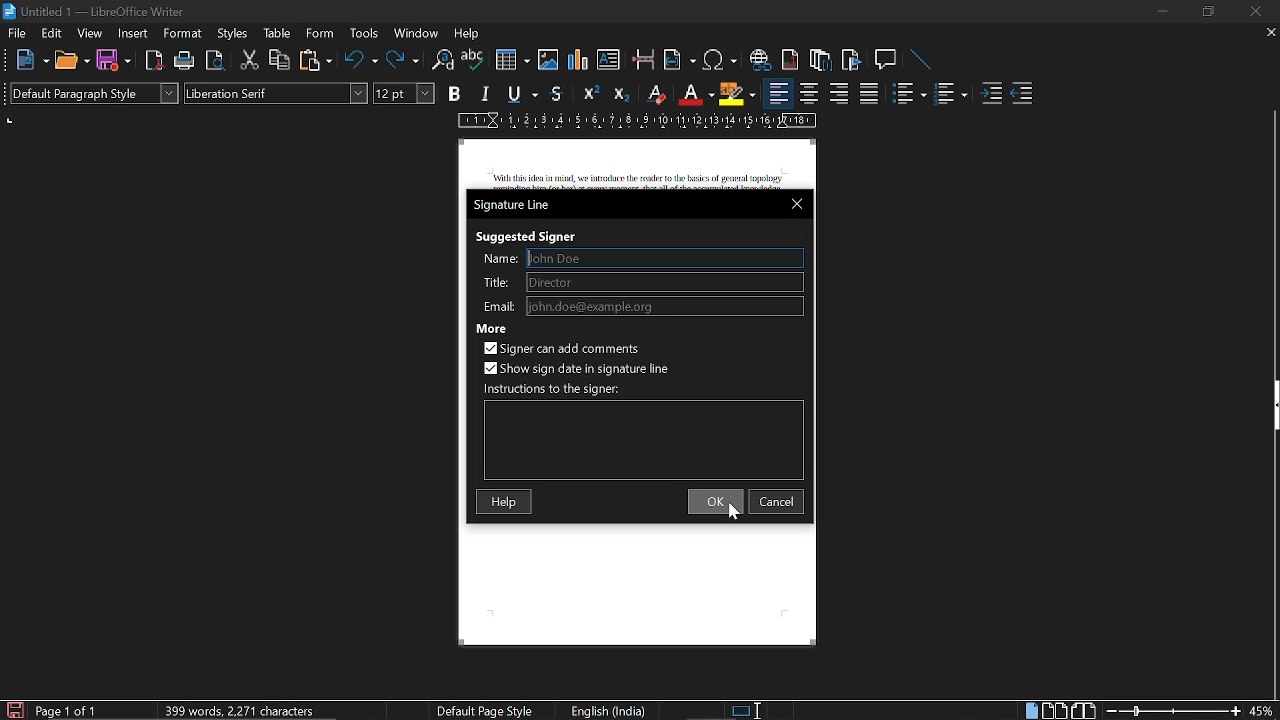  Describe the element at coordinates (314, 60) in the screenshot. I see `paste` at that location.